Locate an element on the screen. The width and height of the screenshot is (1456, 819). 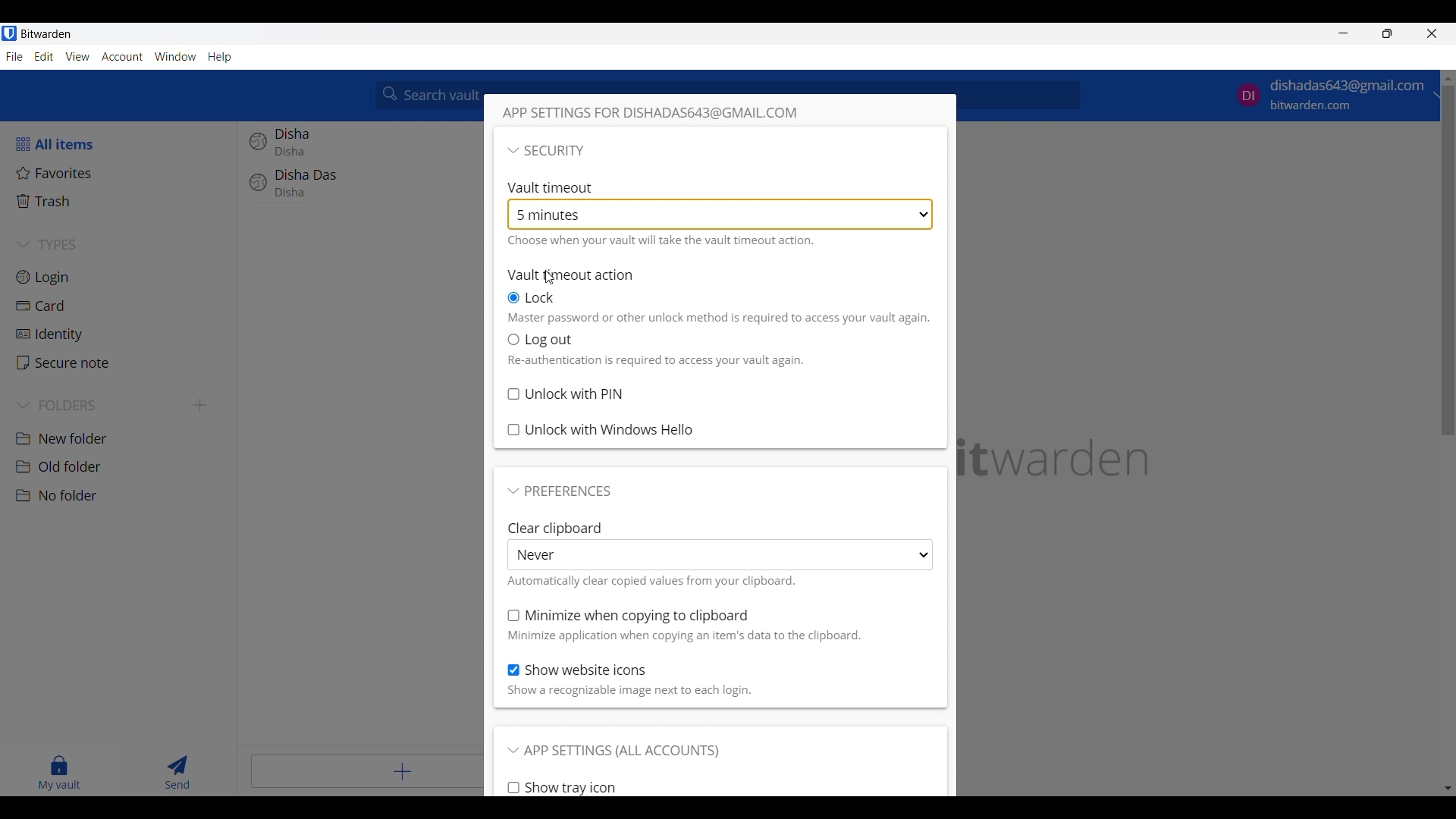
Collapse Types section is located at coordinates (123, 244).